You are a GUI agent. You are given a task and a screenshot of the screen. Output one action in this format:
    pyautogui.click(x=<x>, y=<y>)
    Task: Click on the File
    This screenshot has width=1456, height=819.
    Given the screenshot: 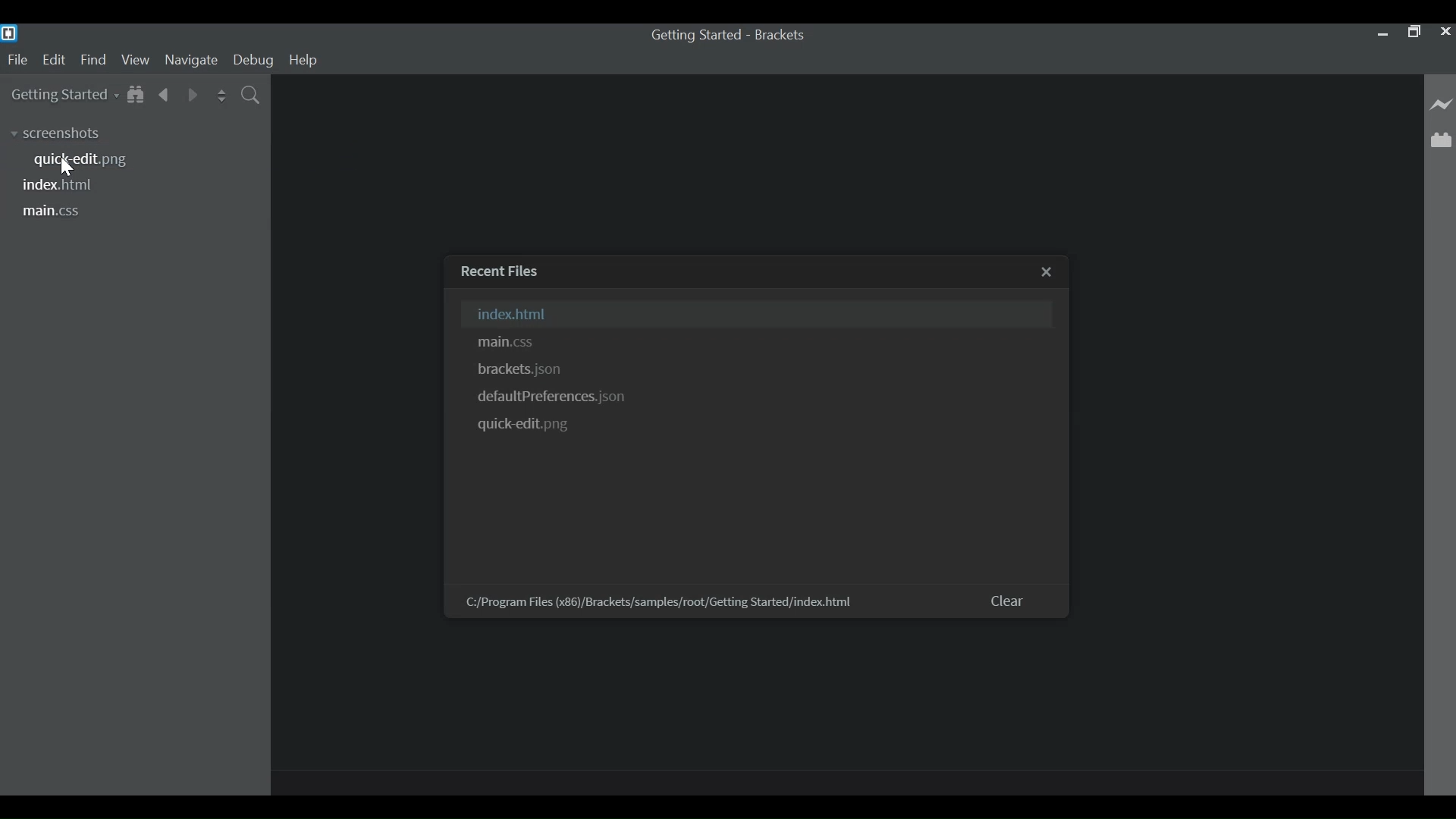 What is the action you would take?
    pyautogui.click(x=15, y=60)
    